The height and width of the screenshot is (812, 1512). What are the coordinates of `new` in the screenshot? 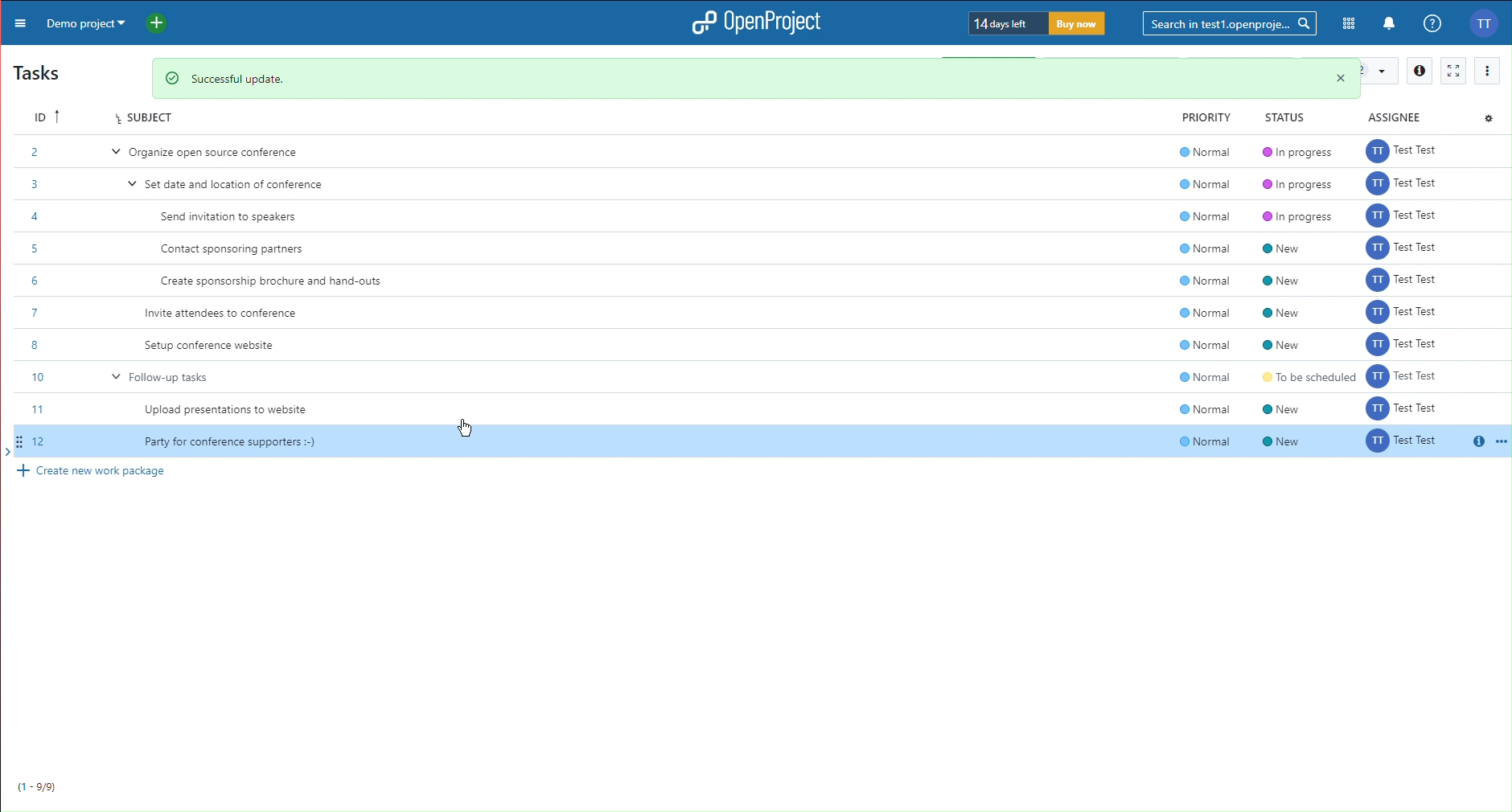 It's located at (1300, 297).